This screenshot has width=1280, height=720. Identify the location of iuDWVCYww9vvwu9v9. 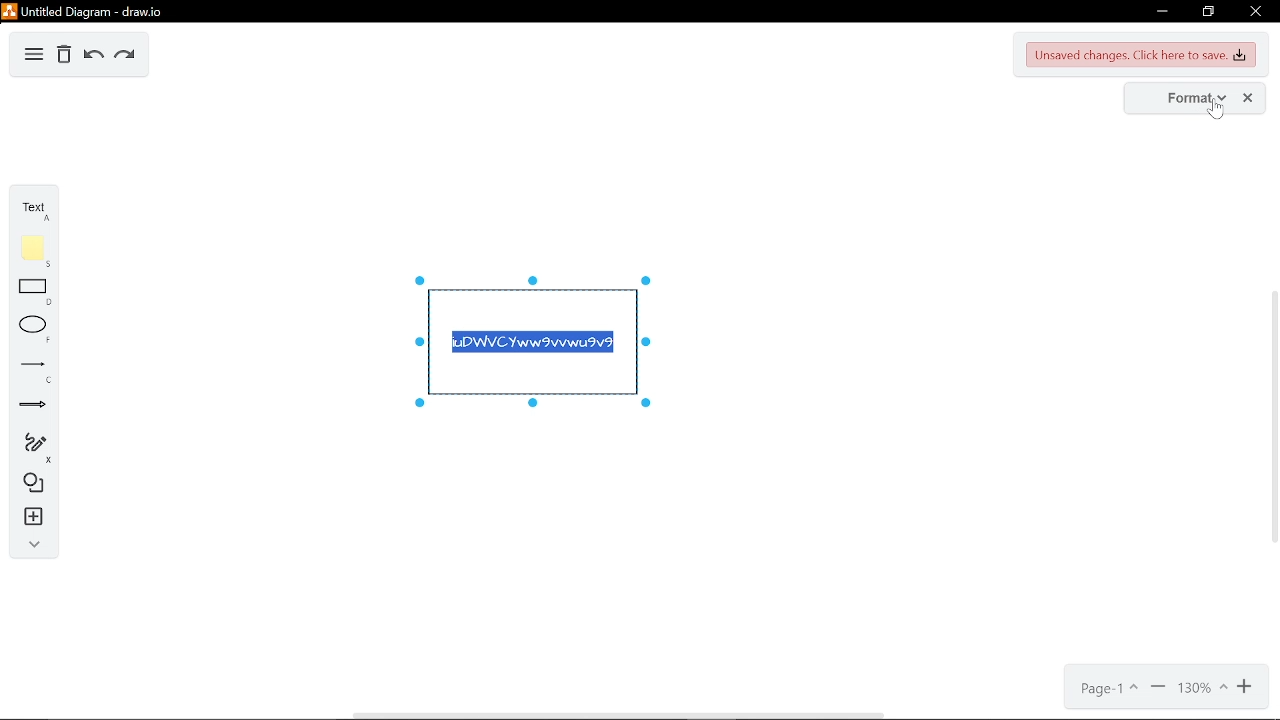
(535, 344).